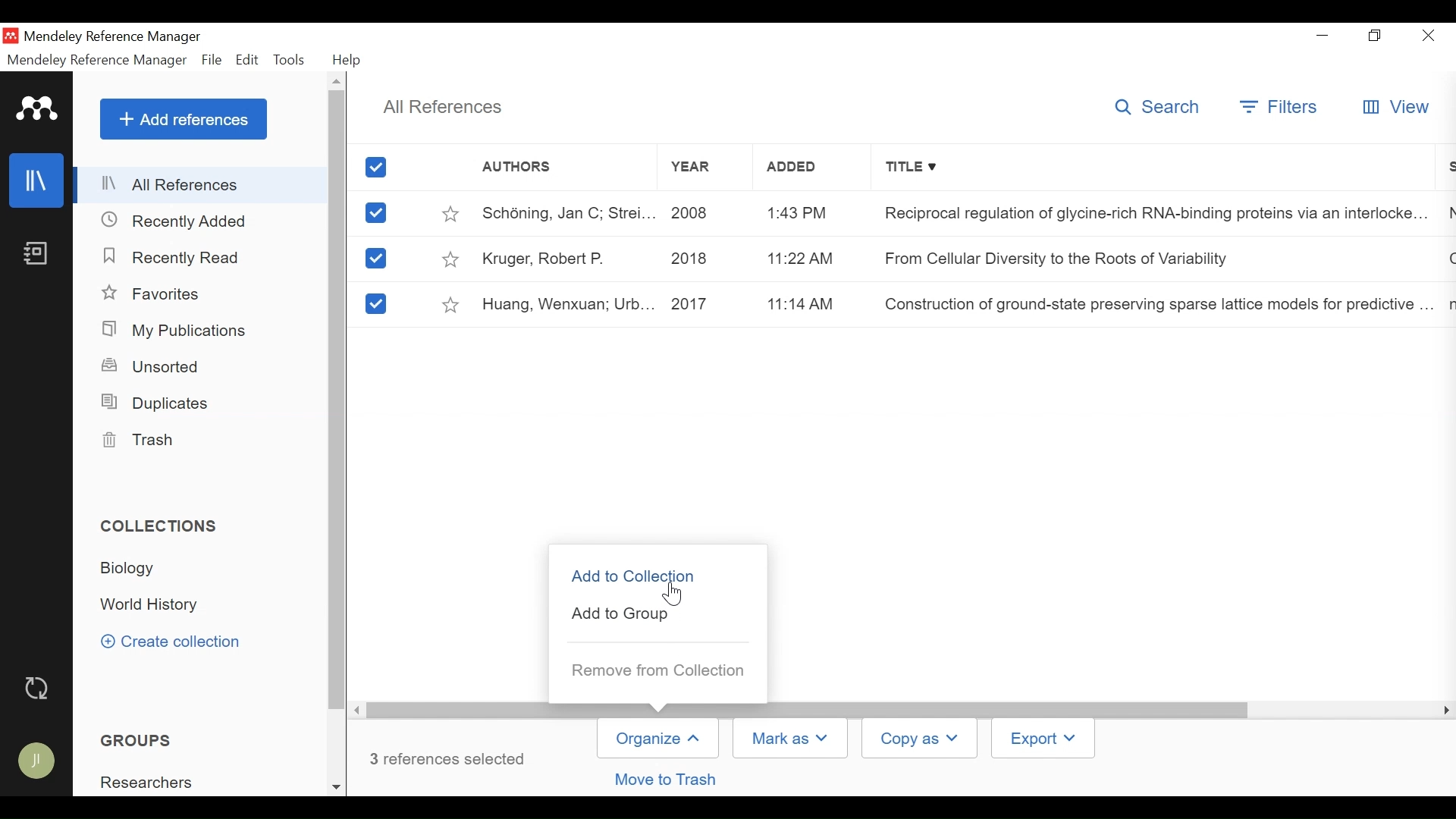  I want to click on Mendeley Desktop Icon, so click(11, 36).